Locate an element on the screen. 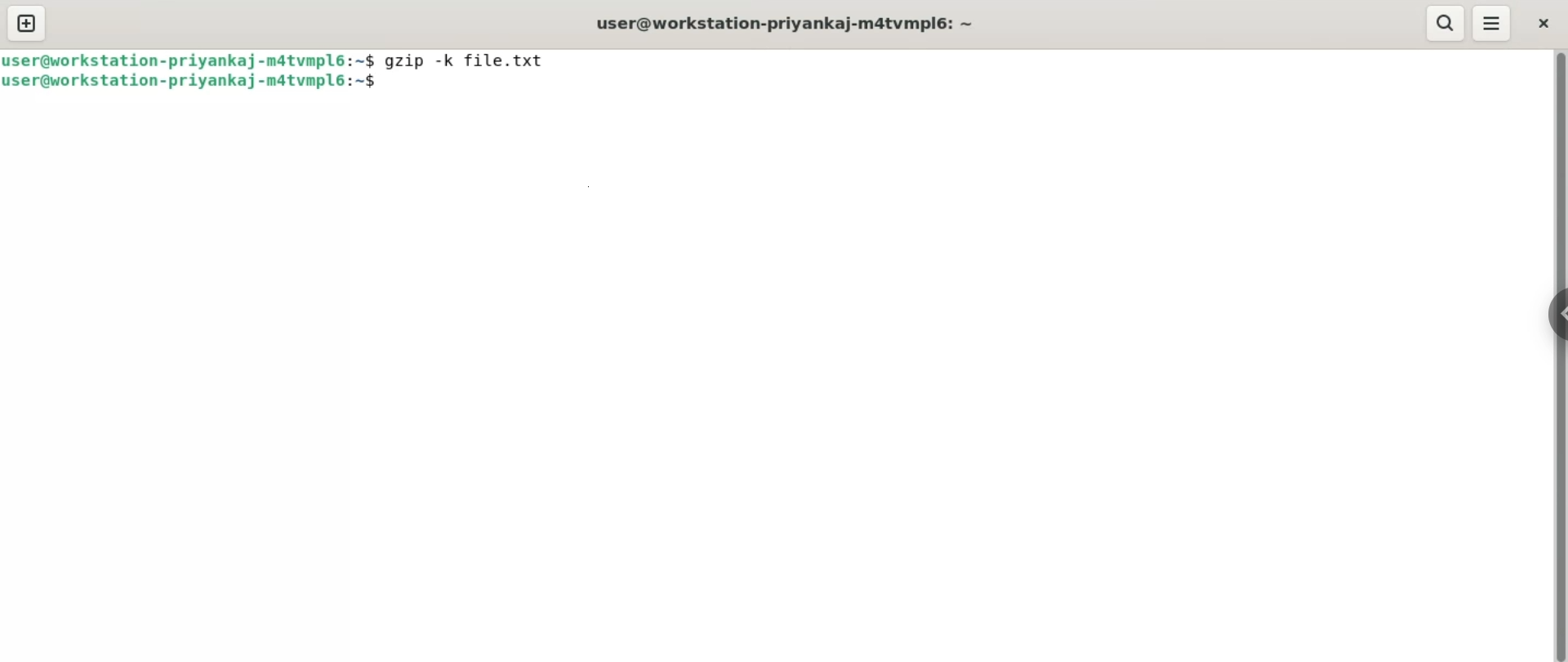 The image size is (1568, 662).  user@workstation-priyanka-m4tvmpl6:~ is located at coordinates (790, 24).